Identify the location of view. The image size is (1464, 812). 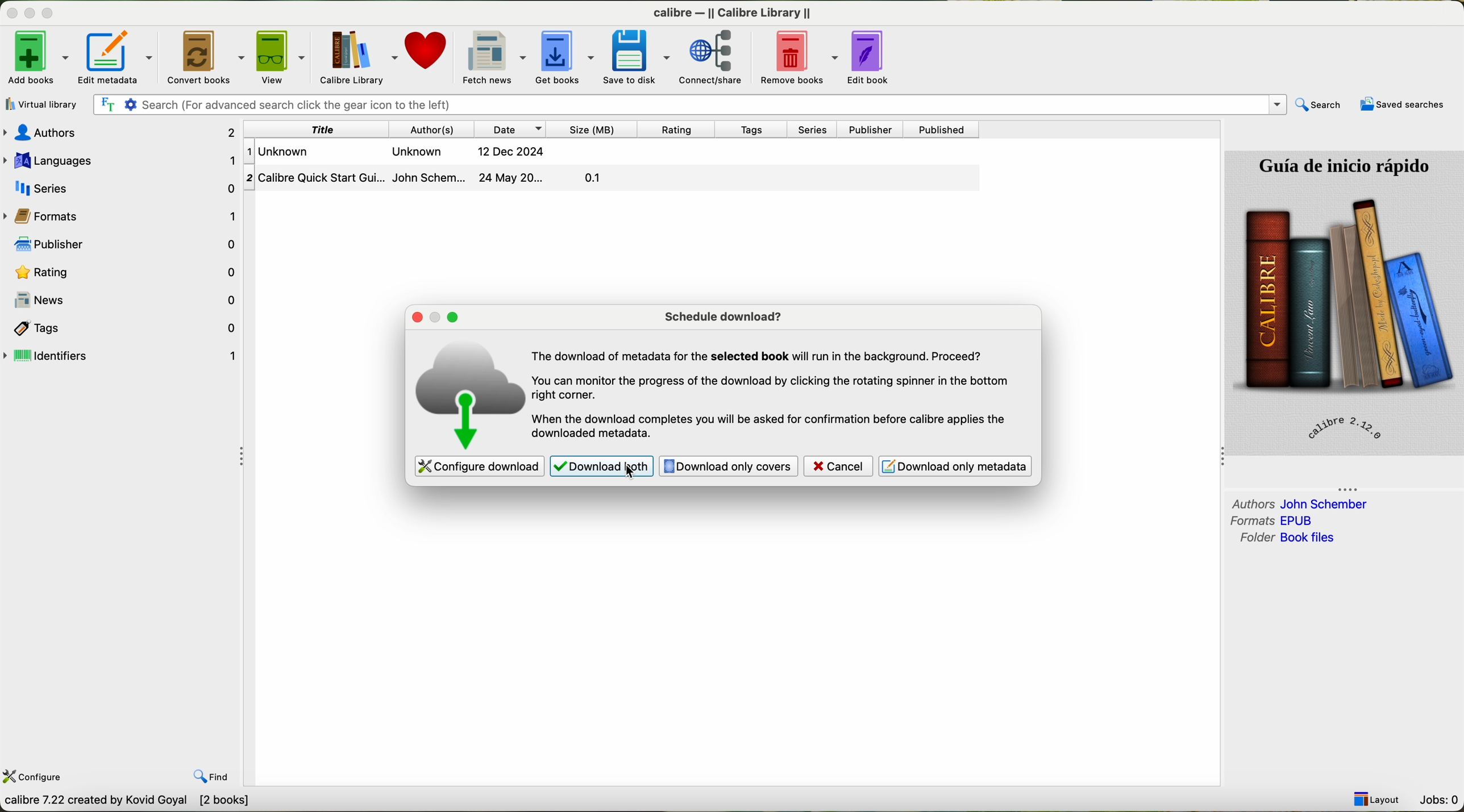
(285, 56).